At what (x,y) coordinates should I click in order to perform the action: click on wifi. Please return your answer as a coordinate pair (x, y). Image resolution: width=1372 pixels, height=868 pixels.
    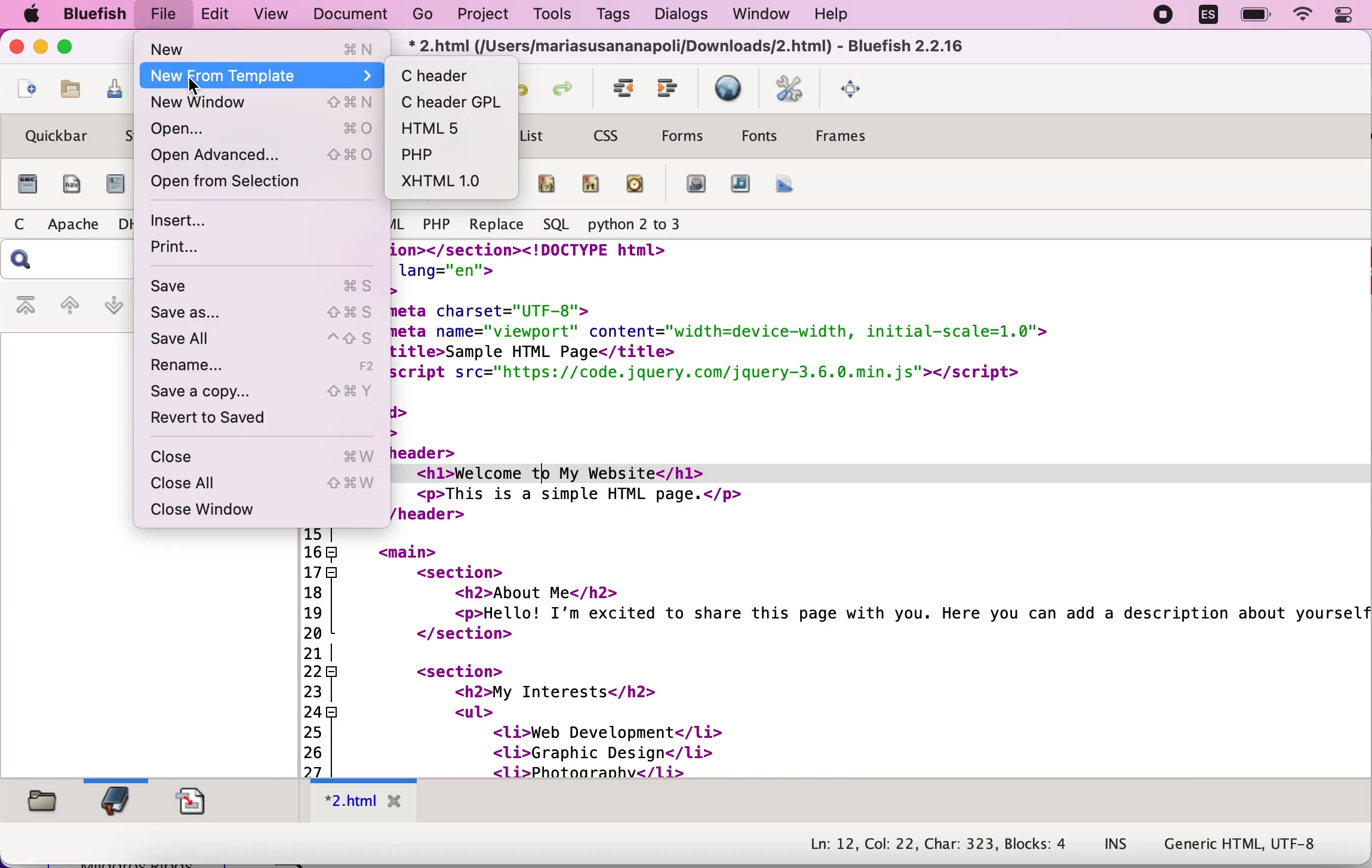
    Looking at the image, I should click on (1305, 17).